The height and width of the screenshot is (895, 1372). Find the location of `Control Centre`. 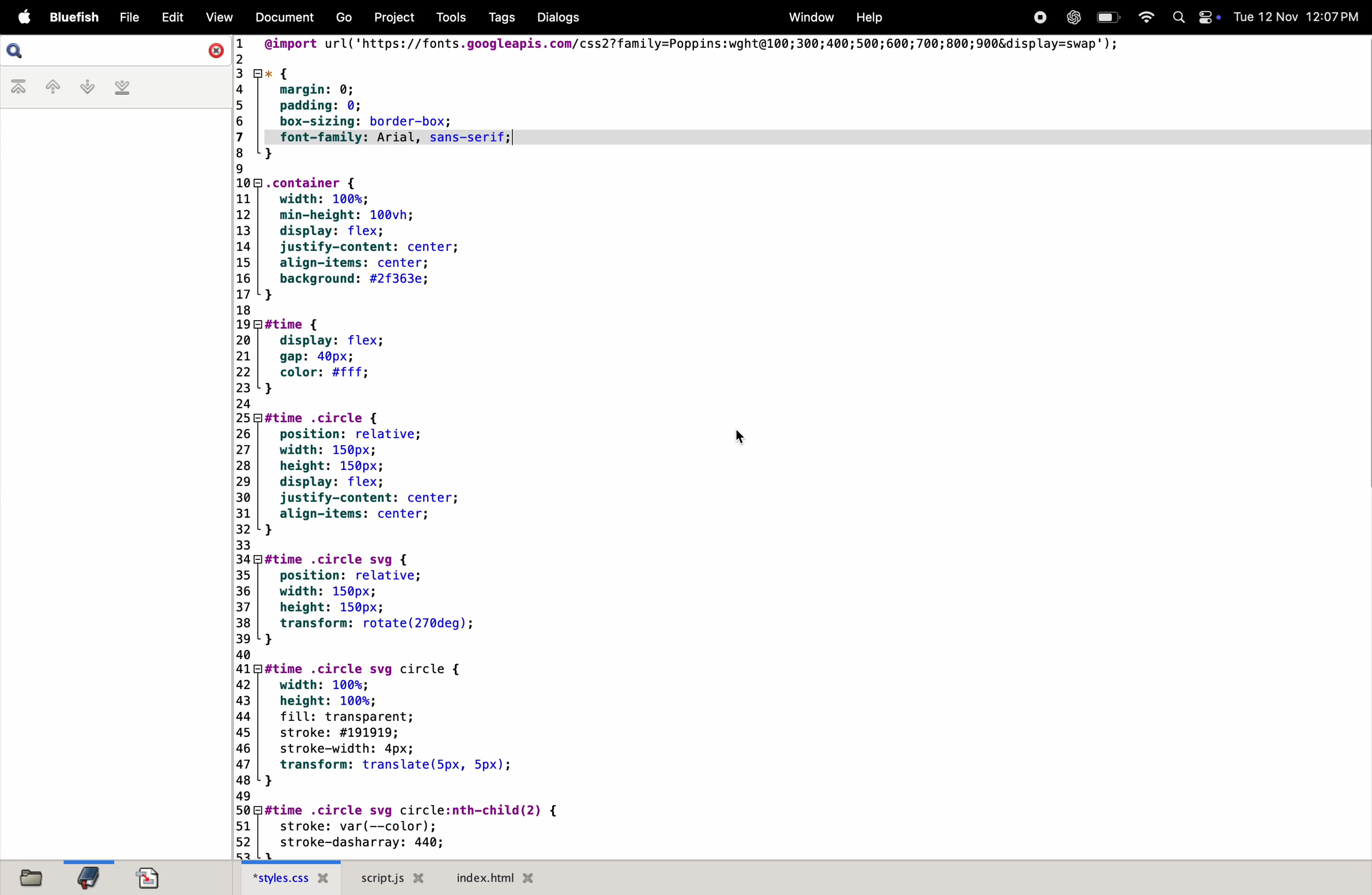

Control Centre is located at coordinates (1208, 16).